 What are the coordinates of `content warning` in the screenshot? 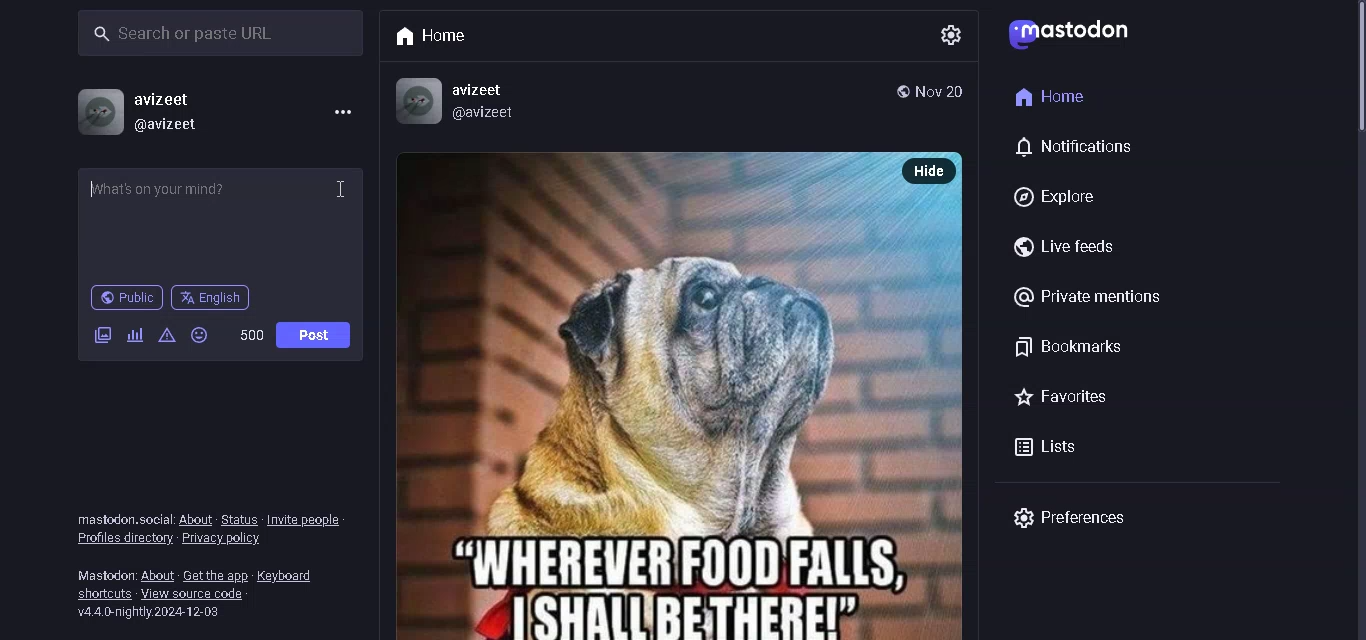 It's located at (168, 337).